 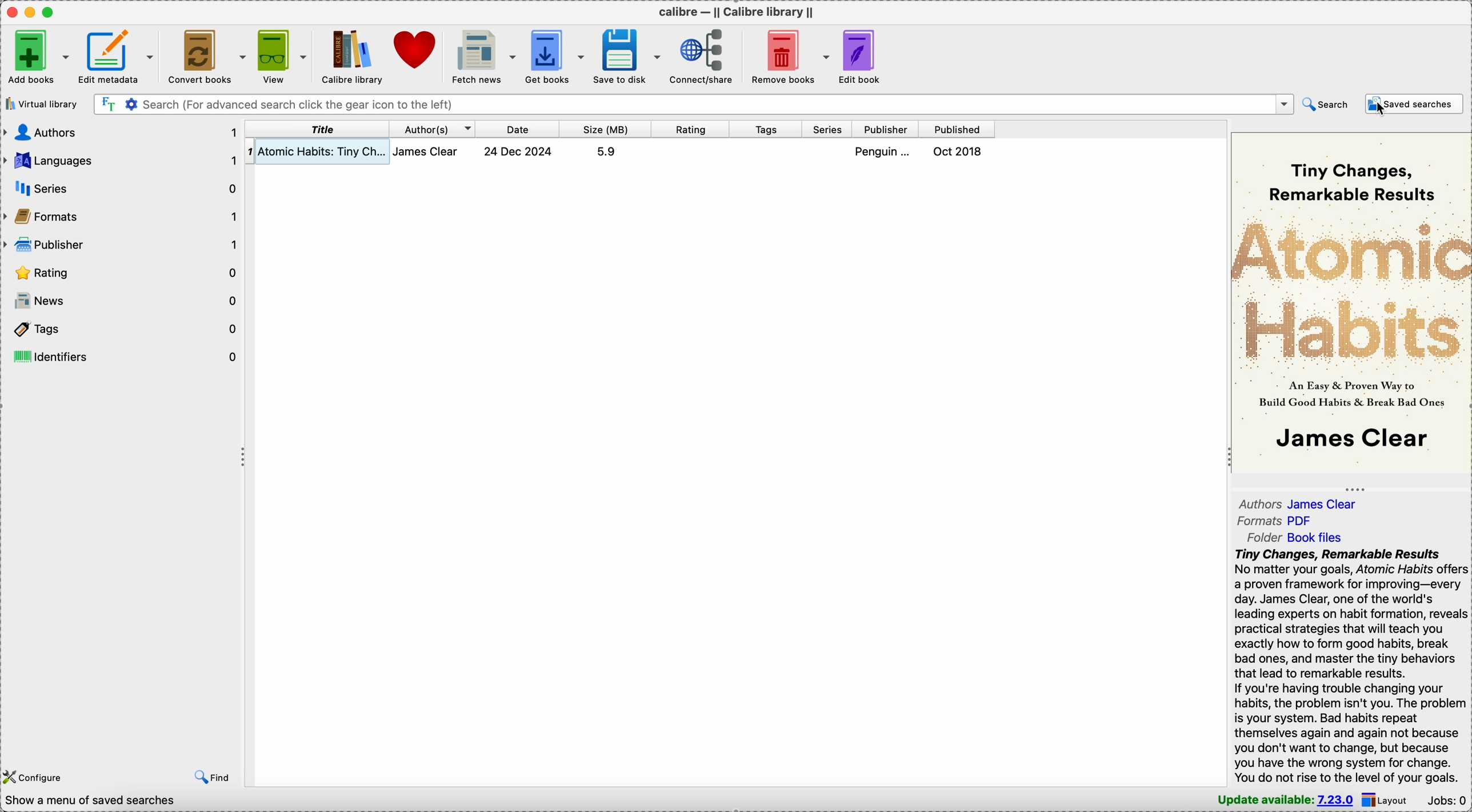 I want to click on edit metadata, so click(x=118, y=54).